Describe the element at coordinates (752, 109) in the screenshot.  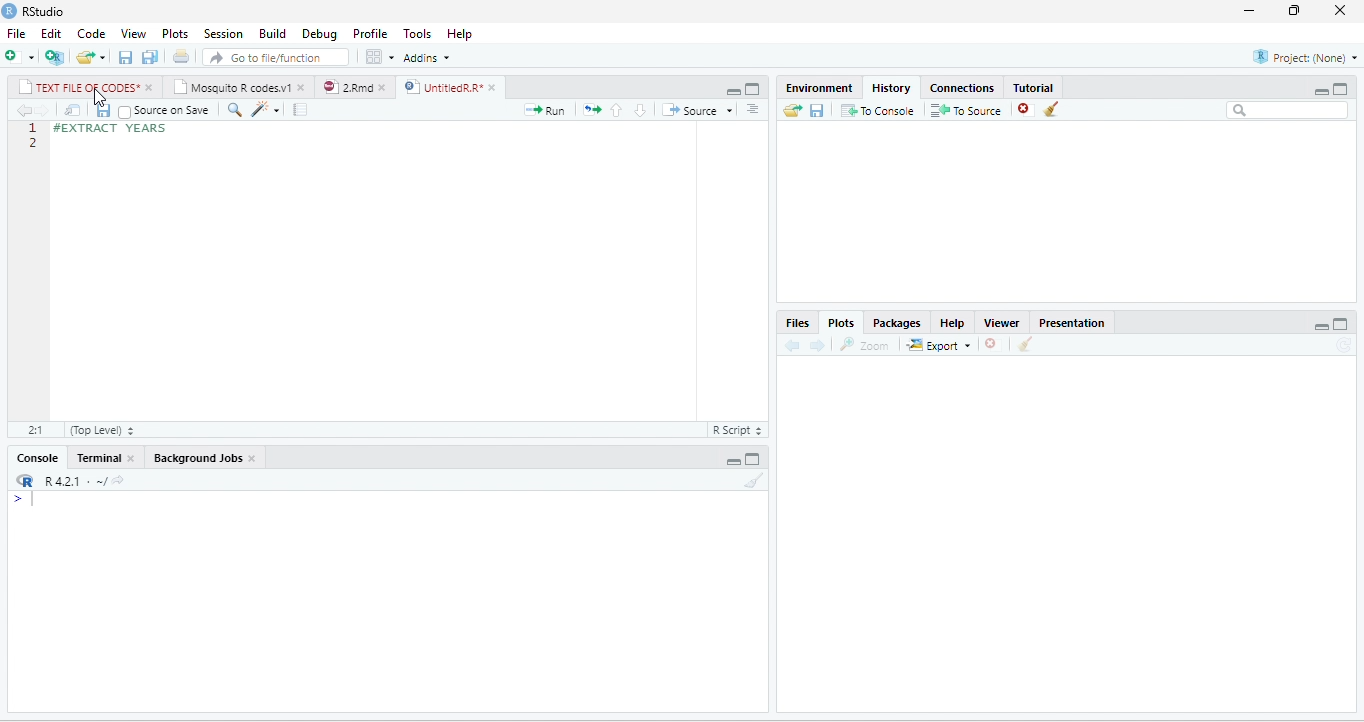
I see `options` at that location.